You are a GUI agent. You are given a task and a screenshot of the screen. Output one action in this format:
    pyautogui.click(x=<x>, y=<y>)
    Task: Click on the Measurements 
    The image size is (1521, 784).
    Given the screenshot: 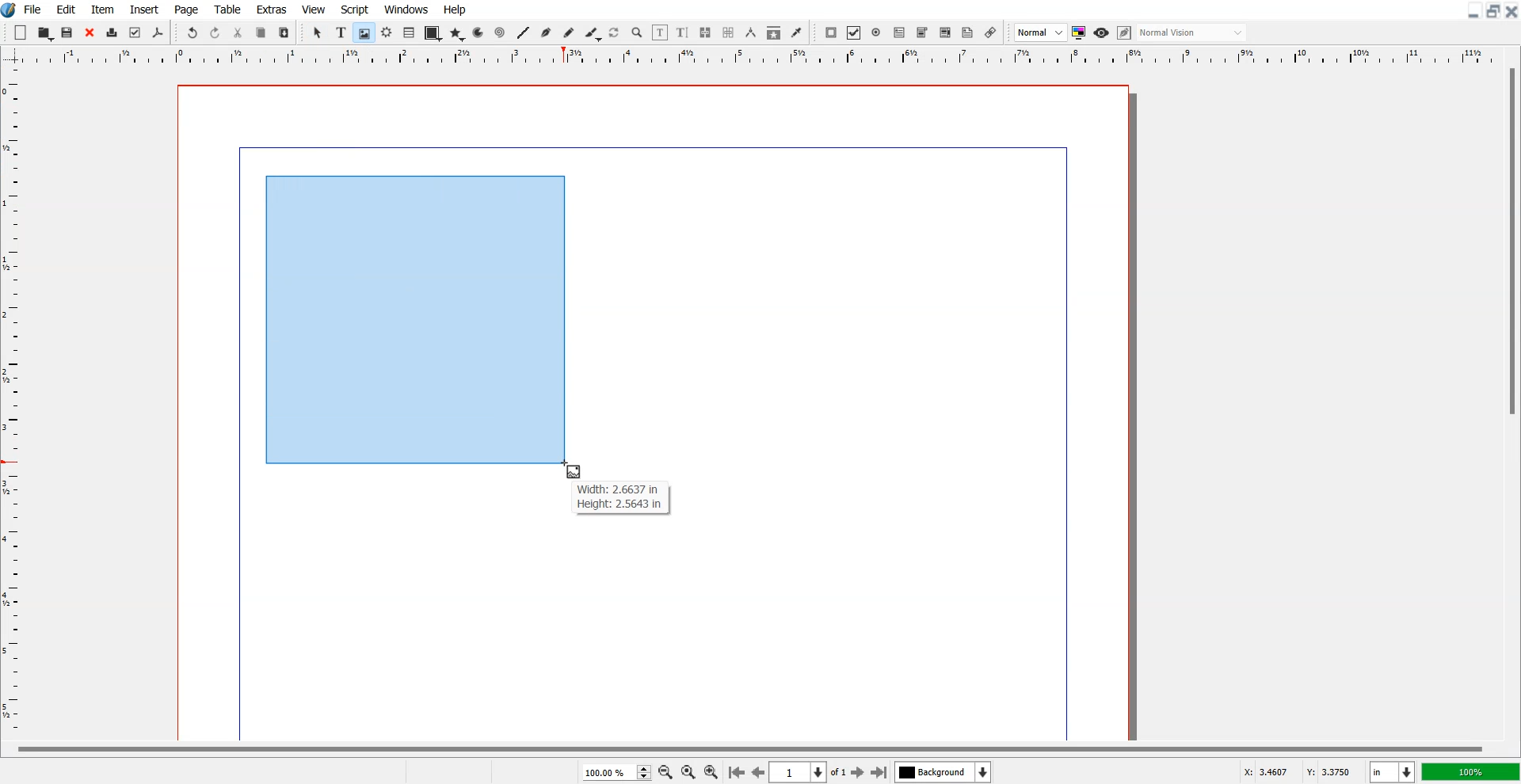 What is the action you would take?
    pyautogui.click(x=750, y=32)
    